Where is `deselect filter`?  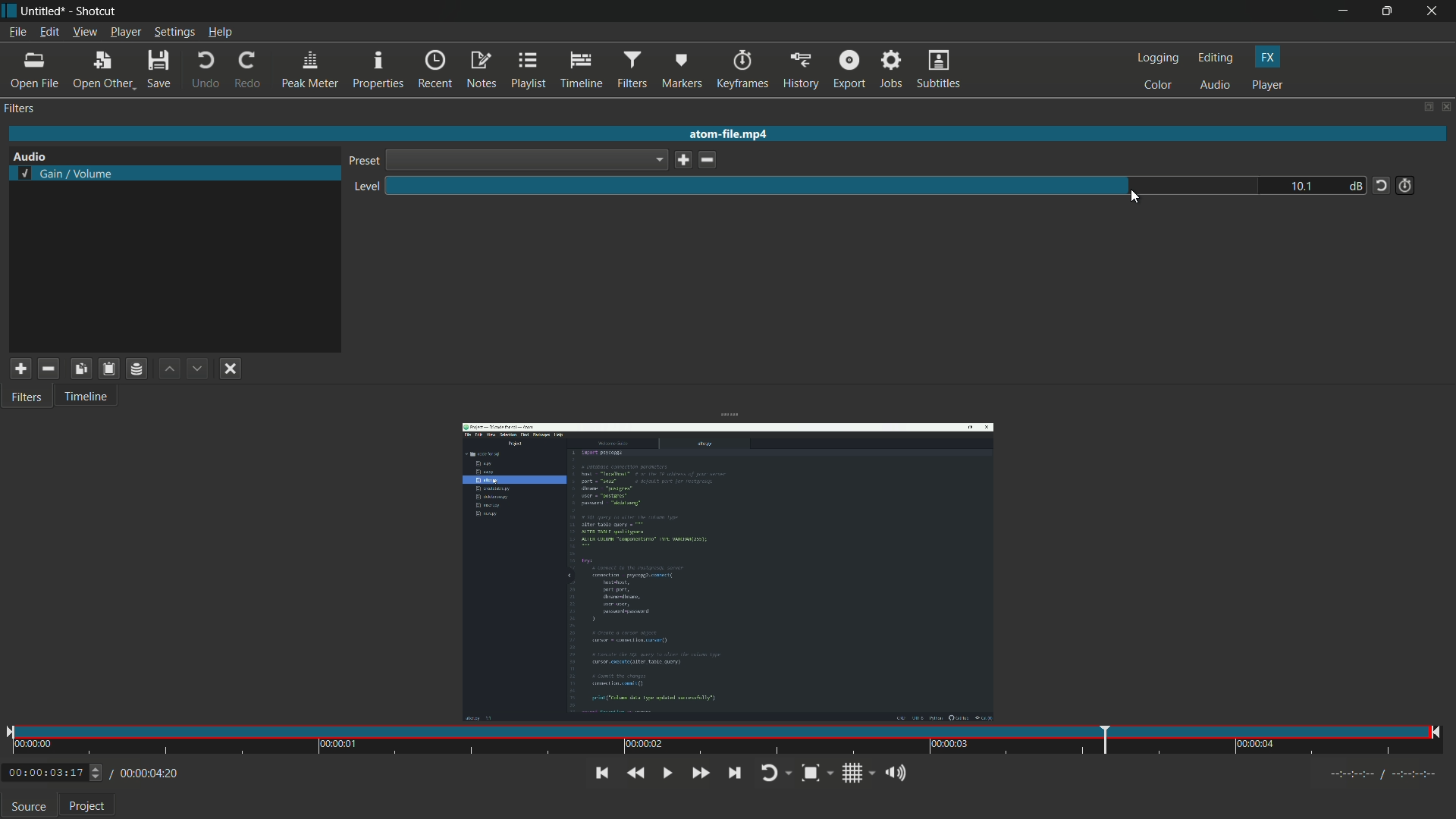
deselect filter is located at coordinates (231, 369).